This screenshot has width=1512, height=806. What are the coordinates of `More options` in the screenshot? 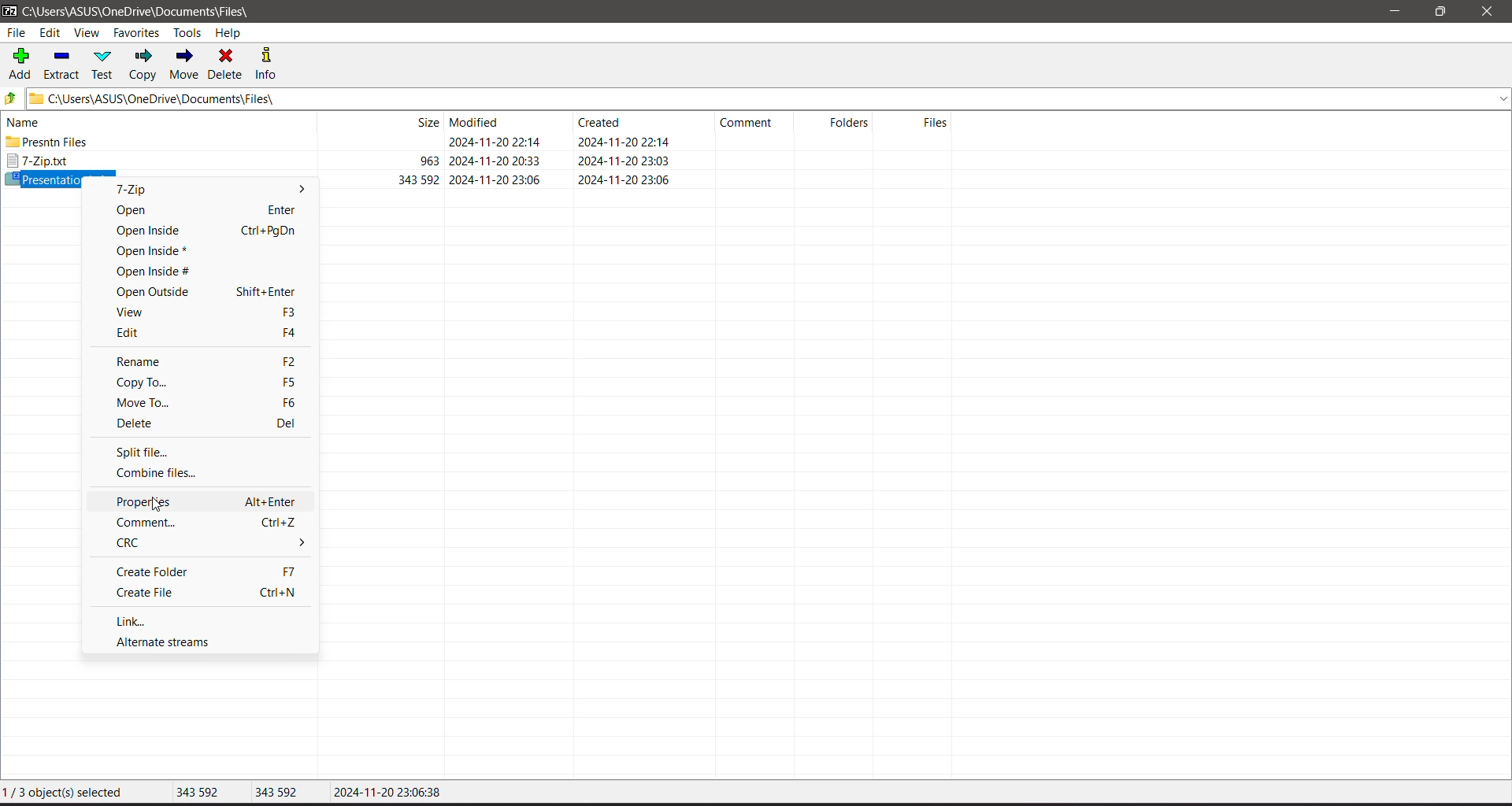 It's located at (288, 544).